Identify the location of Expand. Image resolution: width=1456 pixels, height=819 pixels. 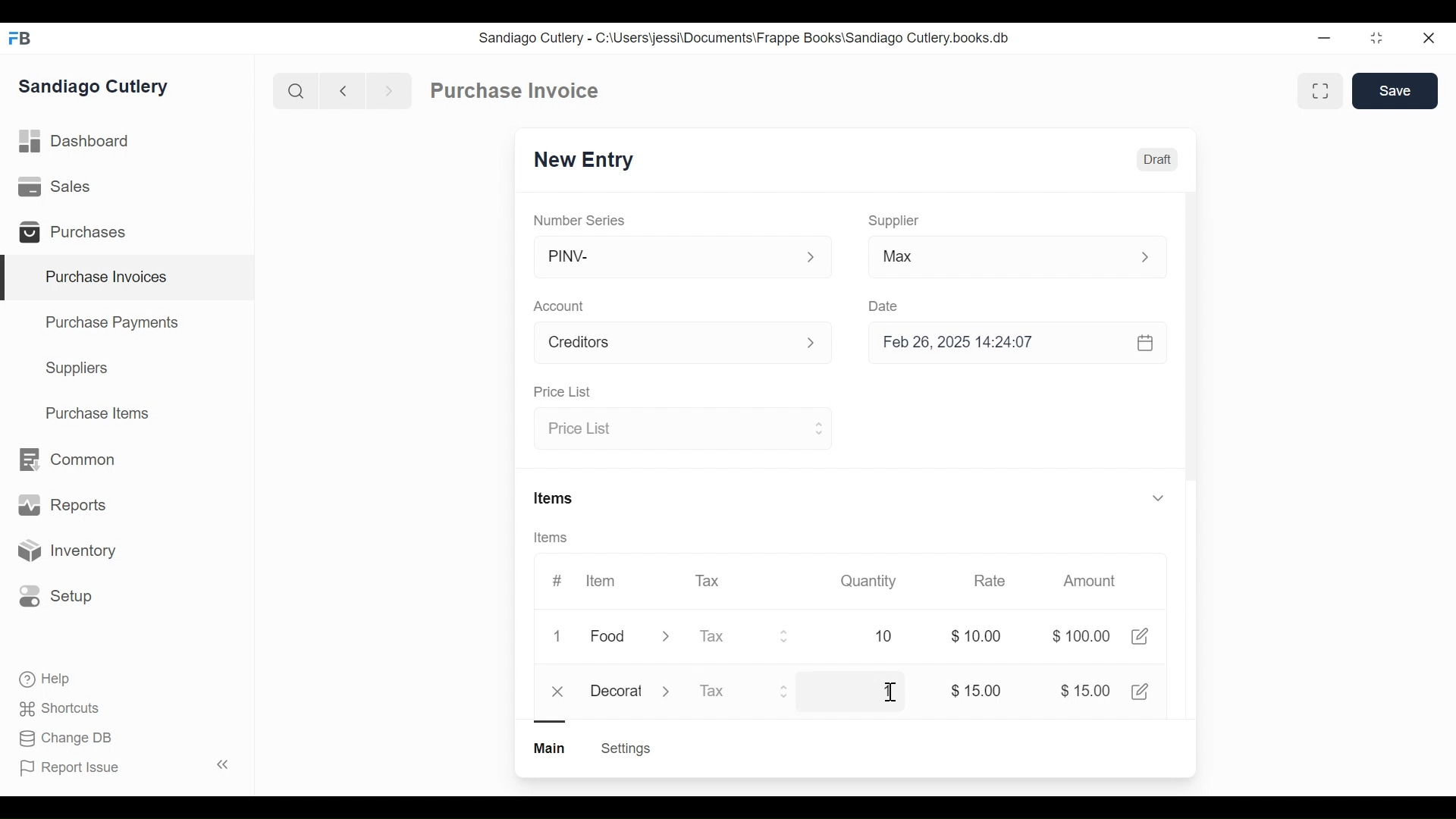
(817, 427).